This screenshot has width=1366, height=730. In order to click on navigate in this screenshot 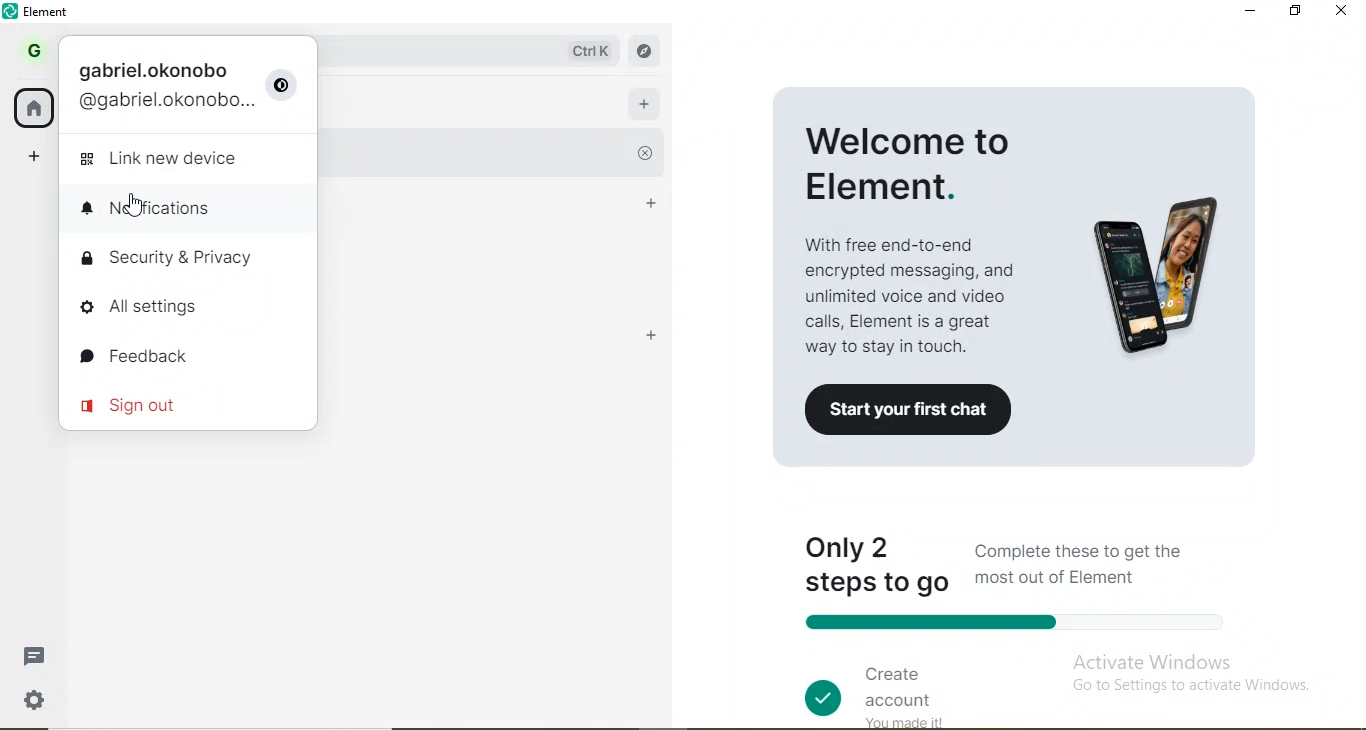, I will do `click(650, 53)`.